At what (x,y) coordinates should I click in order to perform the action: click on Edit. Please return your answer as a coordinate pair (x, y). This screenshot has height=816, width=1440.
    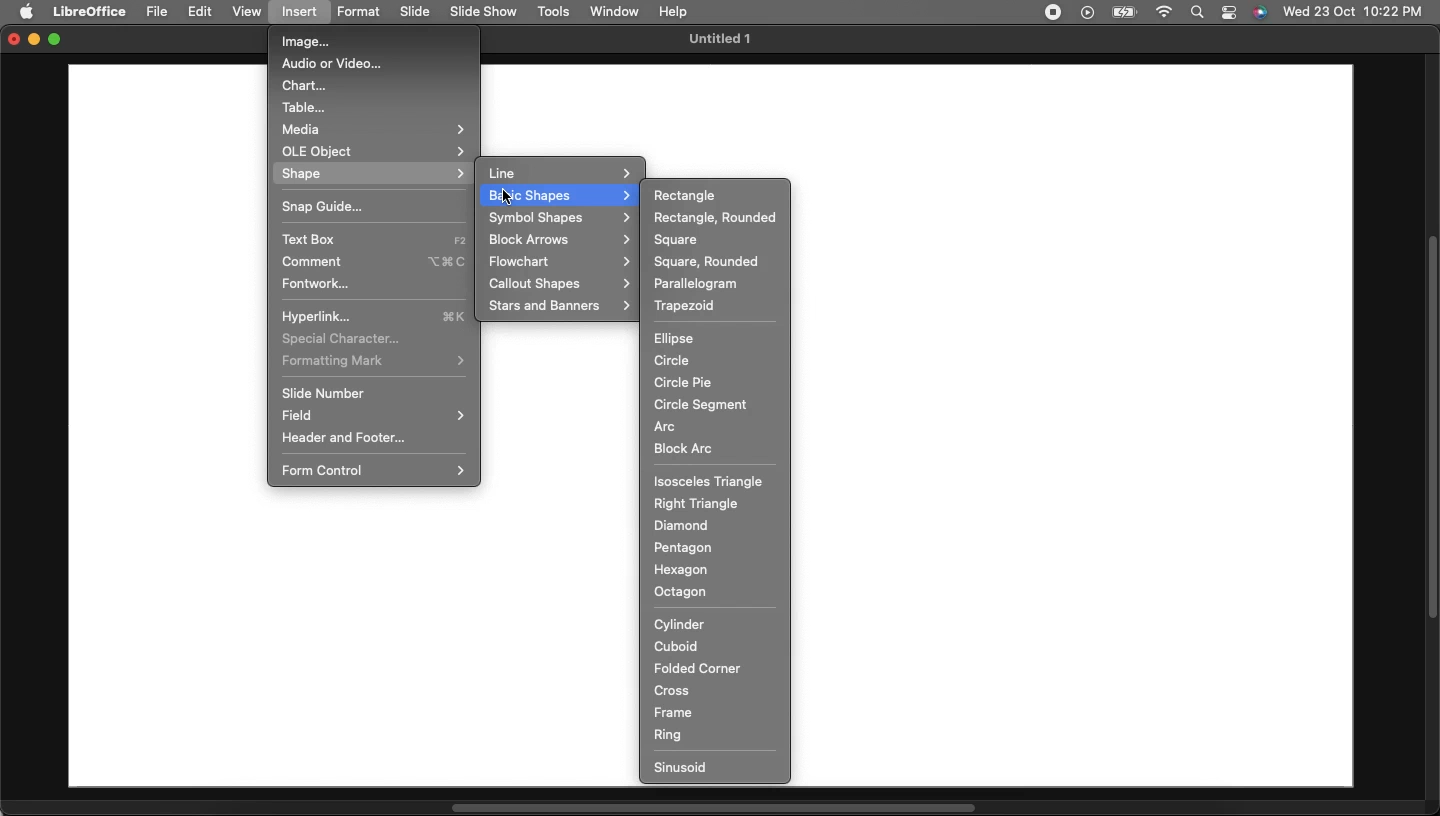
    Looking at the image, I should click on (202, 12).